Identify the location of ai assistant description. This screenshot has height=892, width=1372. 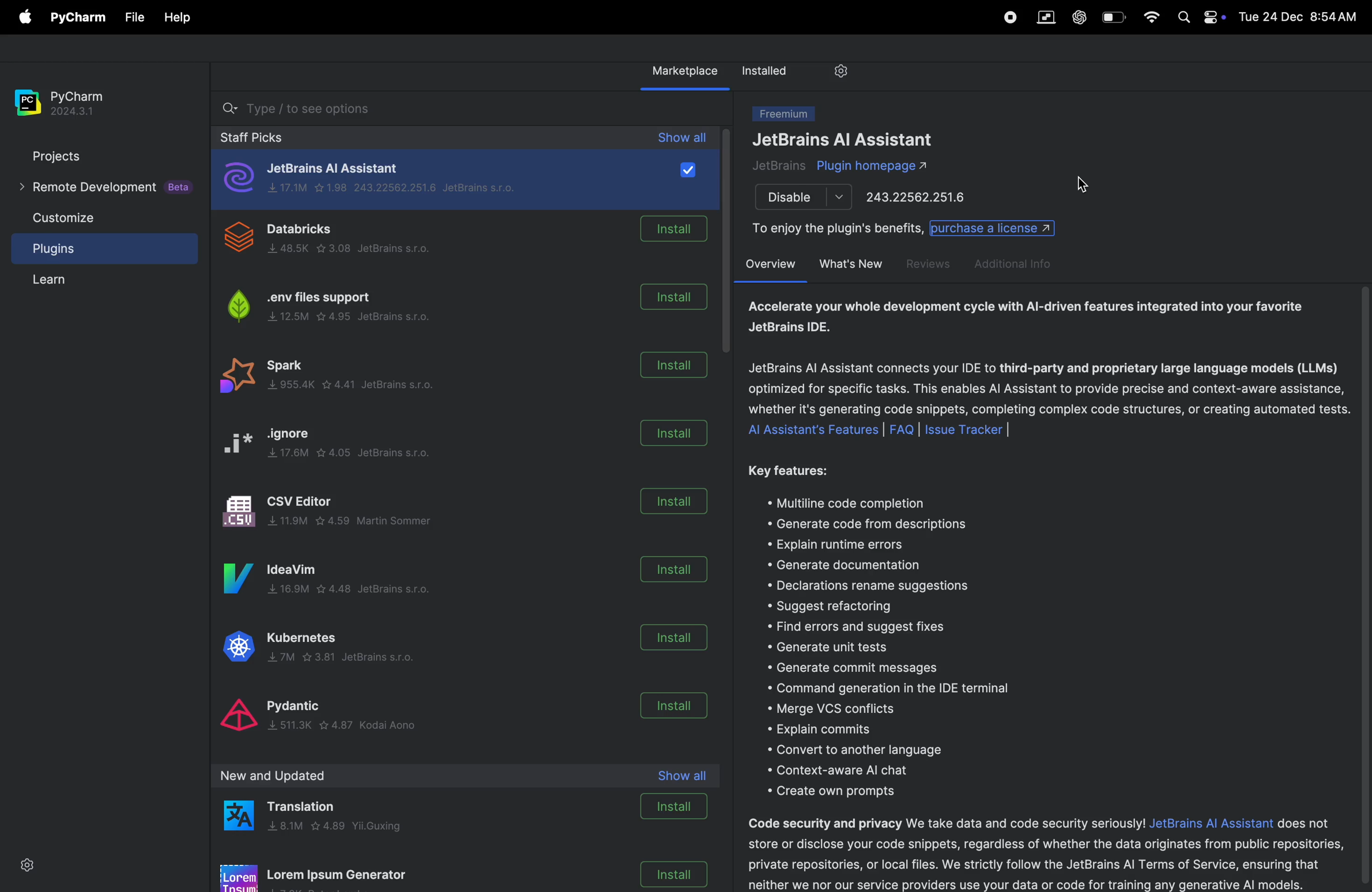
(1051, 368).